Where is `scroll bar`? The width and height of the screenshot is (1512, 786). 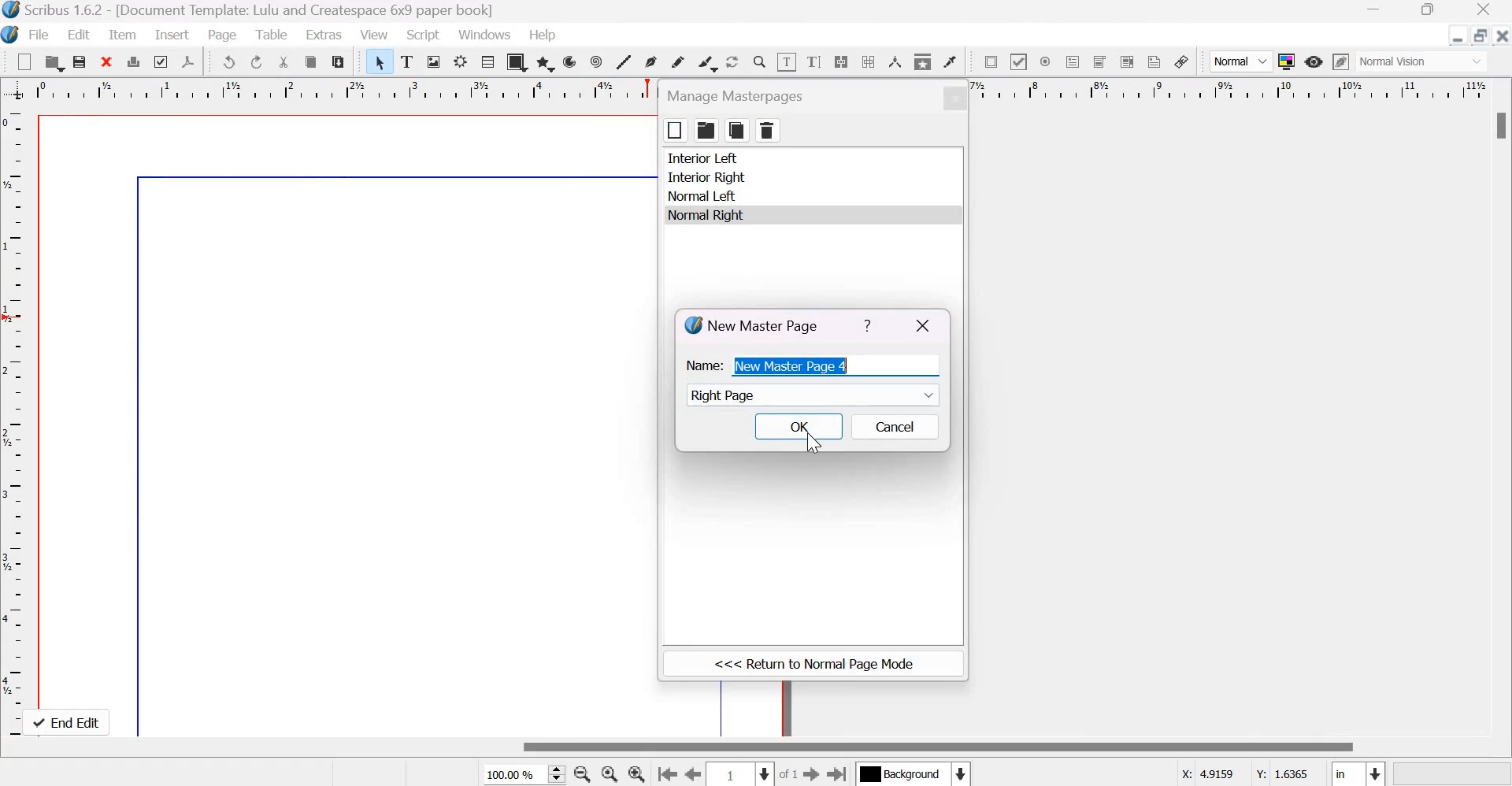
scroll bar is located at coordinates (1500, 126).